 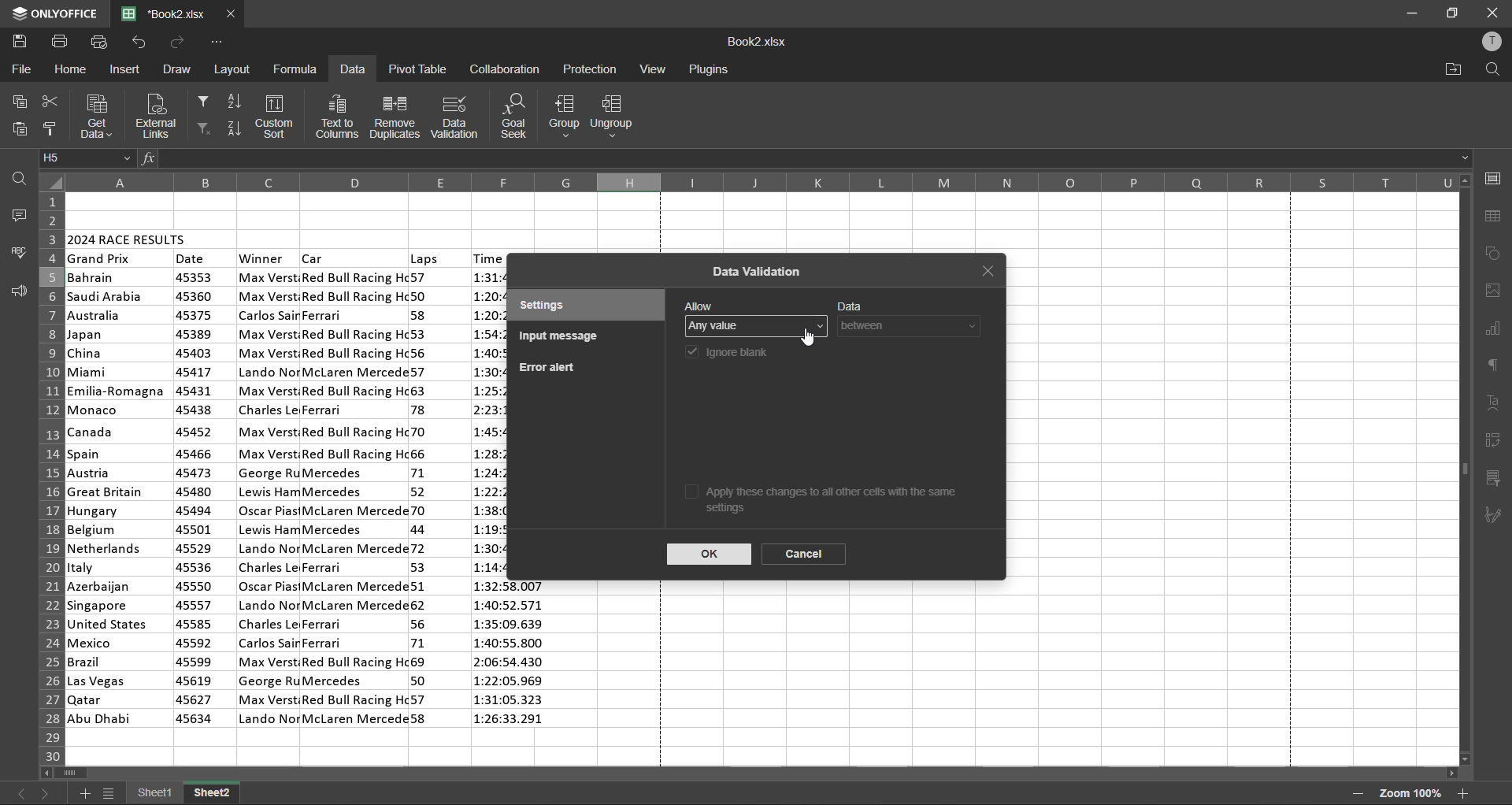 What do you see at coordinates (315, 257) in the screenshot?
I see `car` at bounding box center [315, 257].